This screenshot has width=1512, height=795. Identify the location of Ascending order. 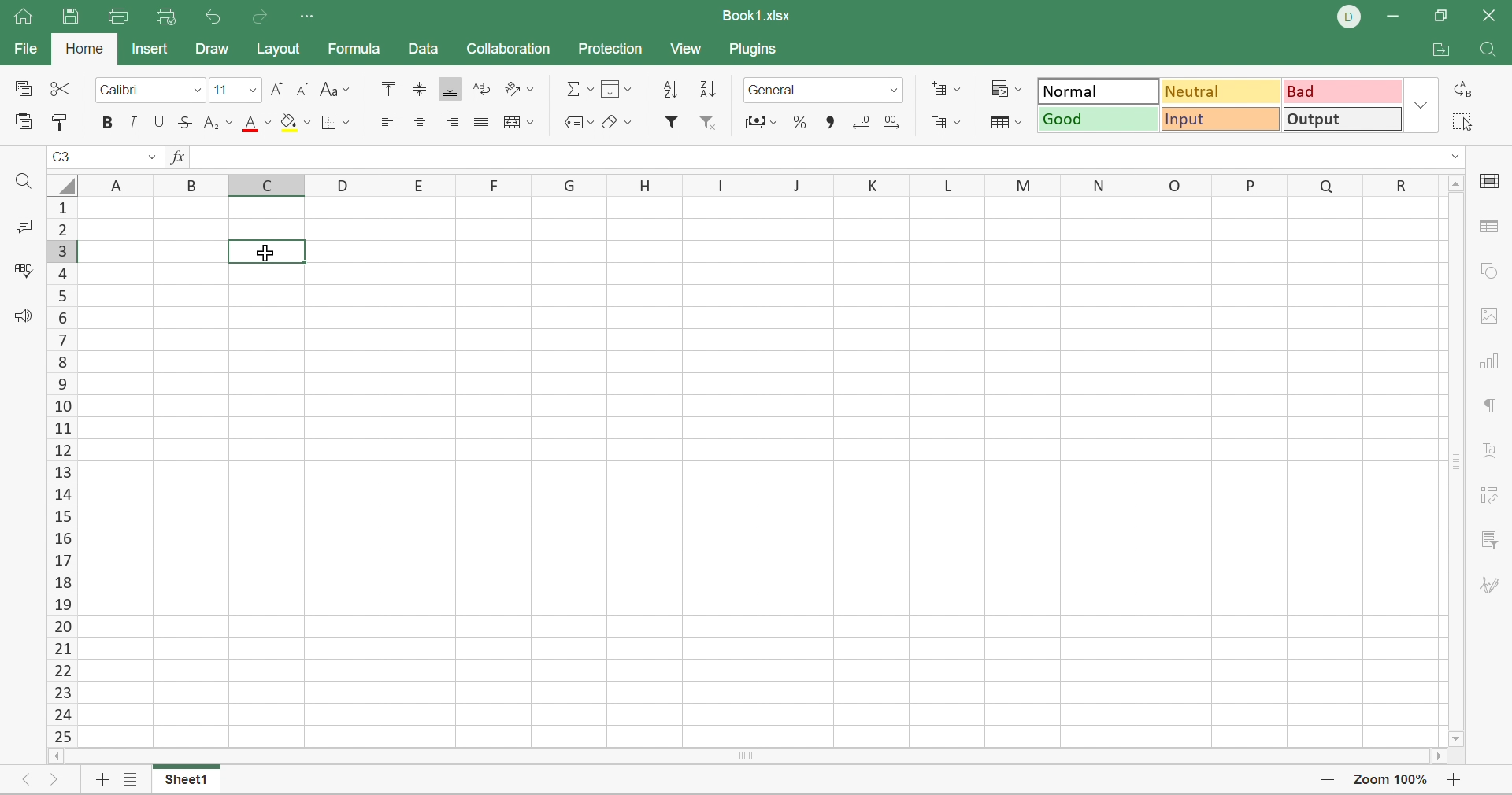
(669, 90).